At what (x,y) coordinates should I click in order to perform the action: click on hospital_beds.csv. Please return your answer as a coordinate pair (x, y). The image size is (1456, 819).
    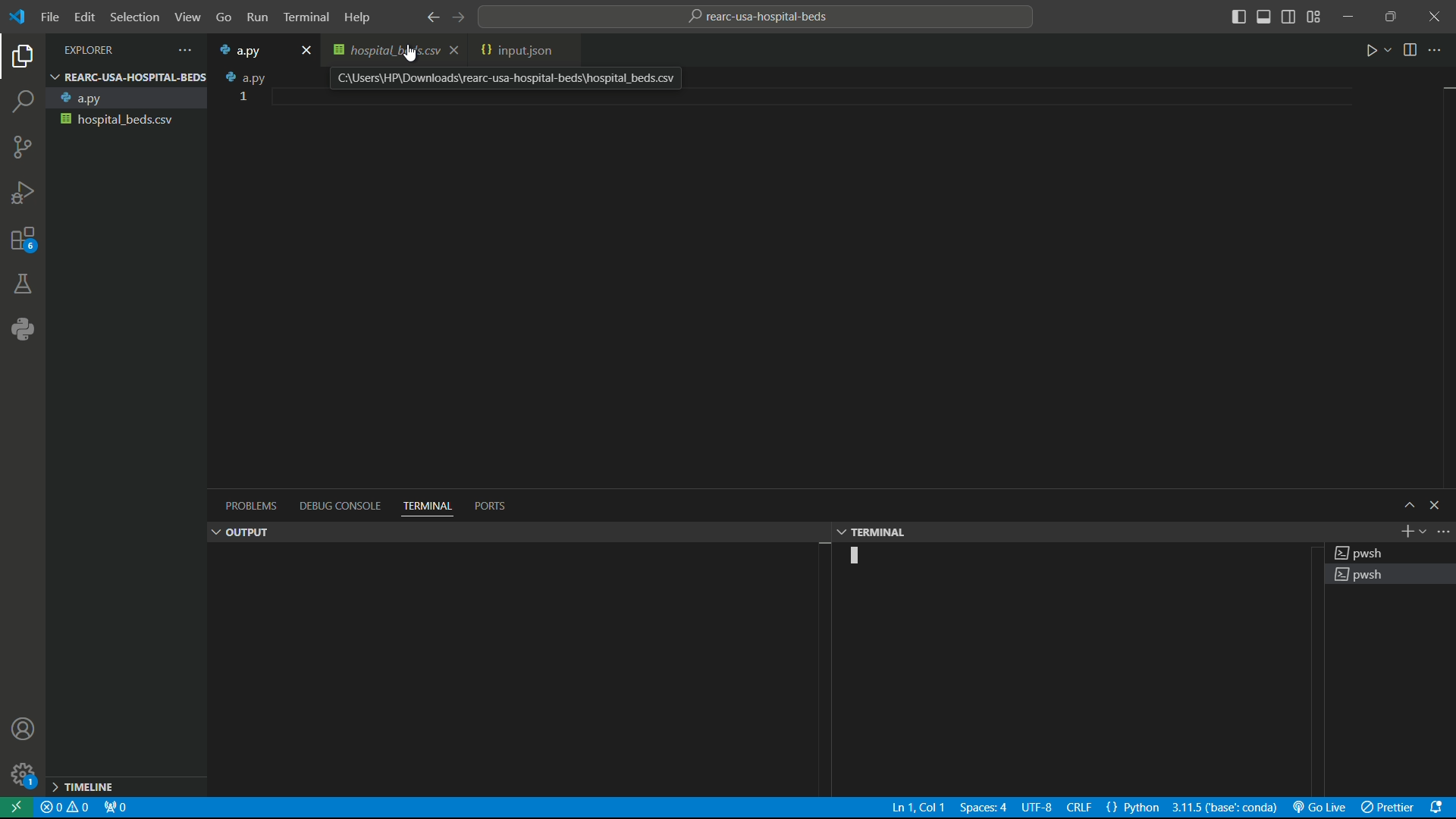
    Looking at the image, I should click on (391, 52).